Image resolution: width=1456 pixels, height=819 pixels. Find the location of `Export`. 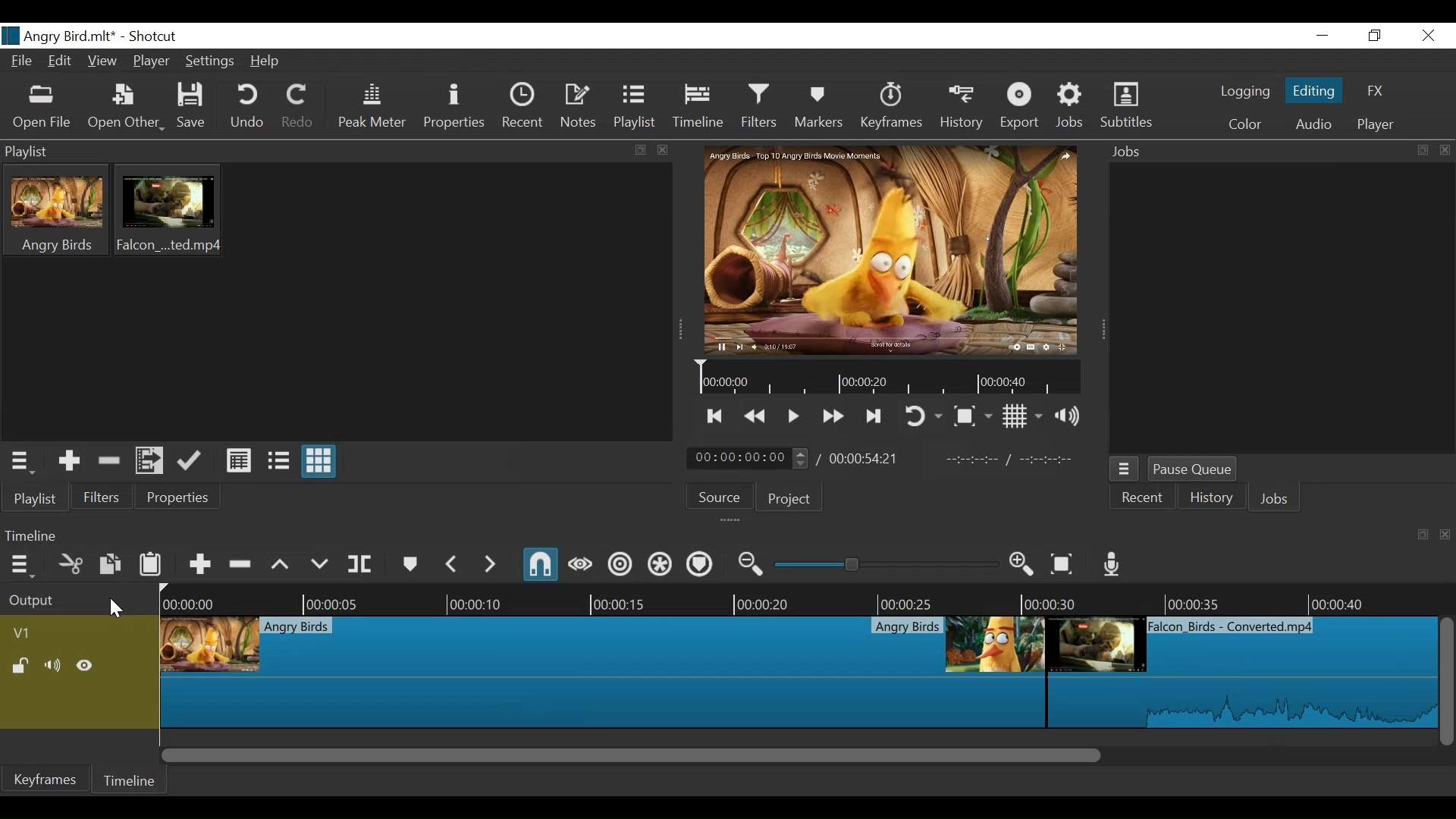

Export is located at coordinates (1020, 108).